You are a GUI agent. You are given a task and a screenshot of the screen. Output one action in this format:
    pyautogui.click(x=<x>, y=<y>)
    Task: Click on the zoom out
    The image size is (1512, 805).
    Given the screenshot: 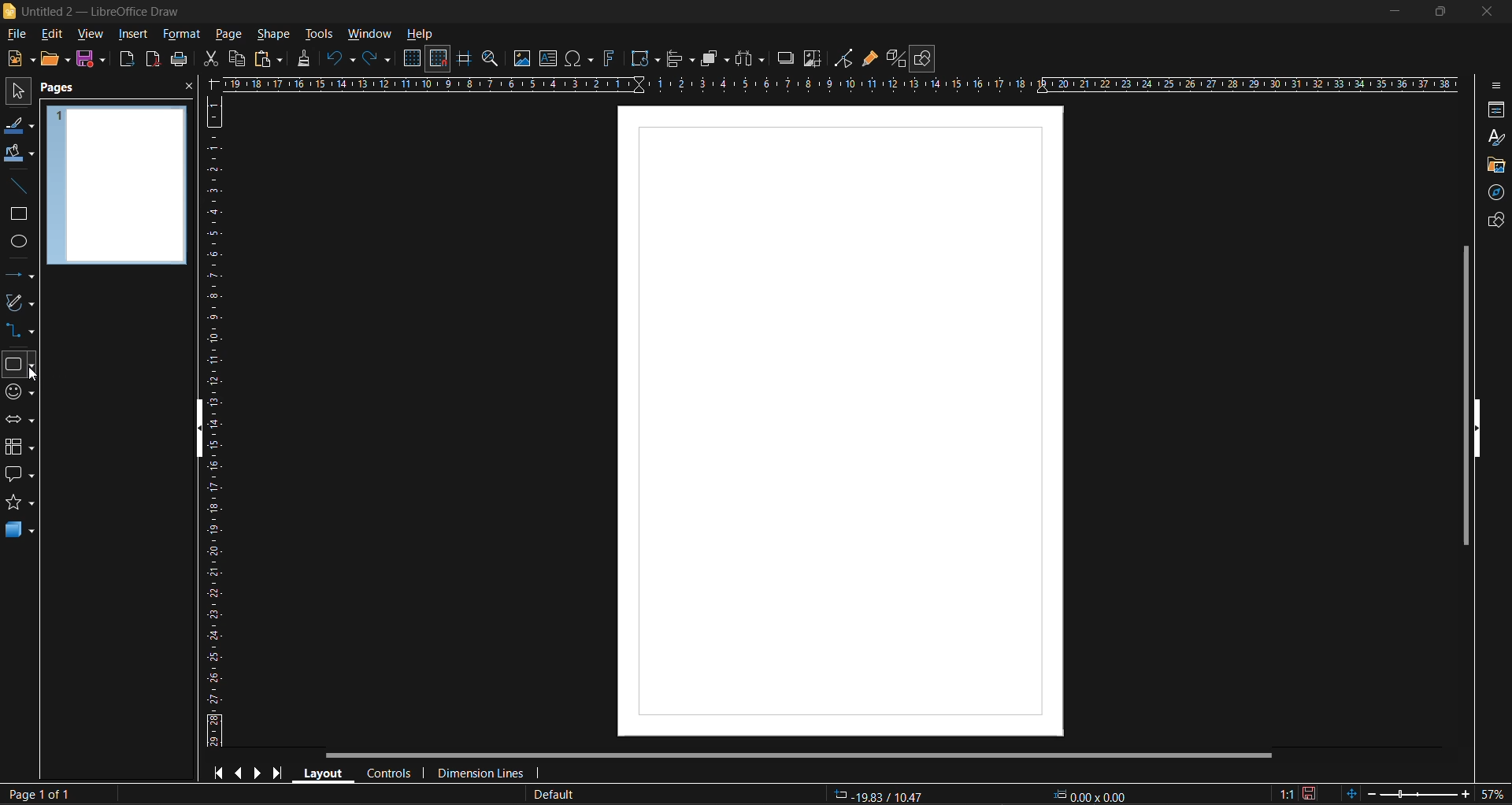 What is the action you would take?
    pyautogui.click(x=1369, y=792)
    